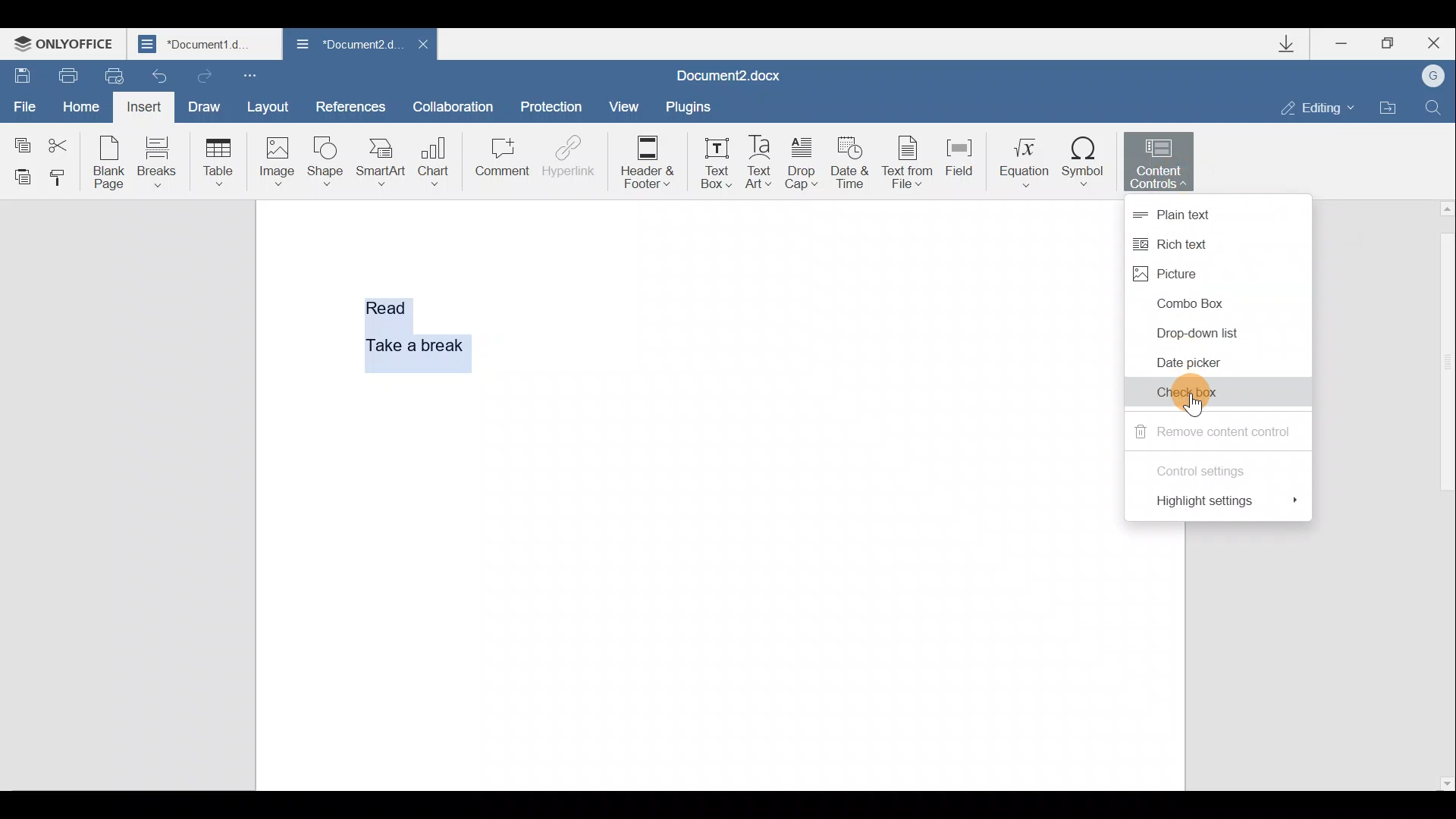  What do you see at coordinates (1234, 504) in the screenshot?
I see `Highlight settings` at bounding box center [1234, 504].